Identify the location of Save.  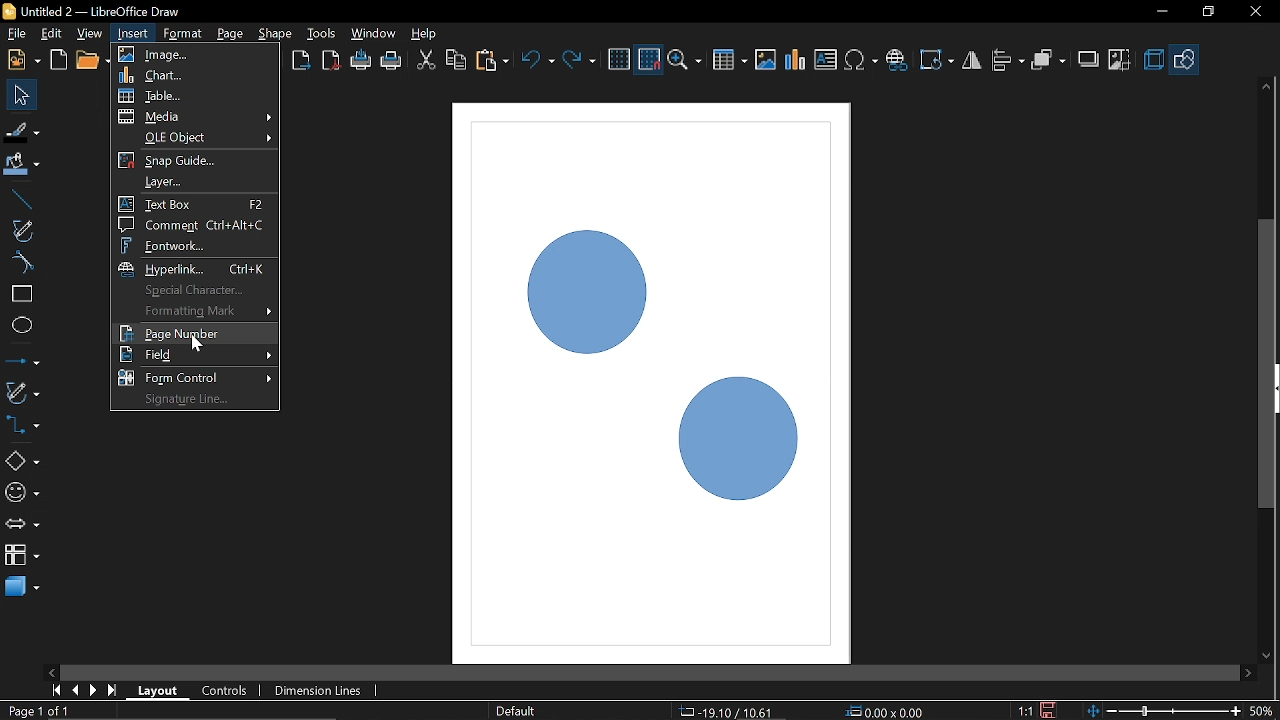
(1051, 710).